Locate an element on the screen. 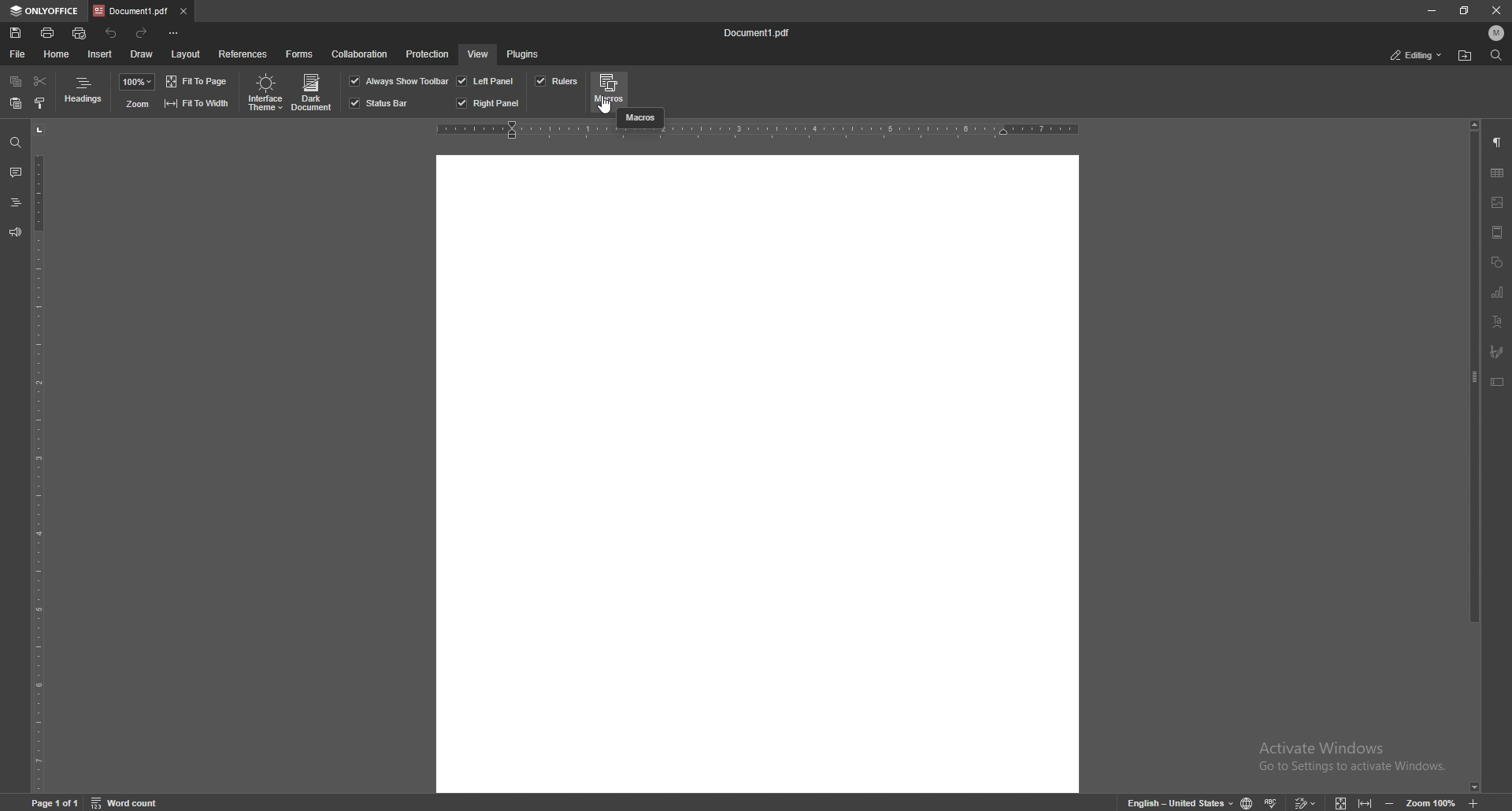  left panel is located at coordinates (486, 80).